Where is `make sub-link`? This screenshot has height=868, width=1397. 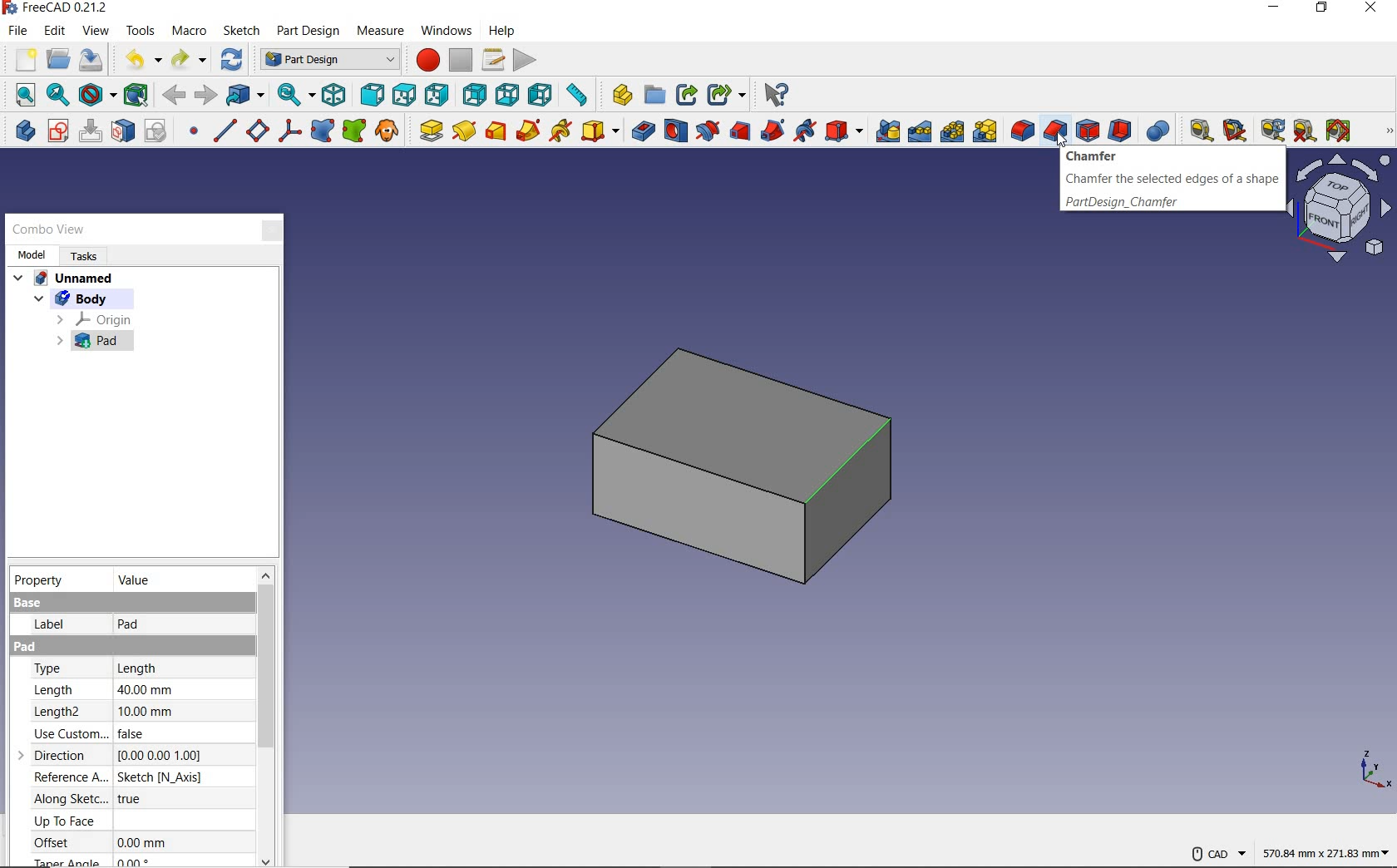
make sub-link is located at coordinates (726, 94).